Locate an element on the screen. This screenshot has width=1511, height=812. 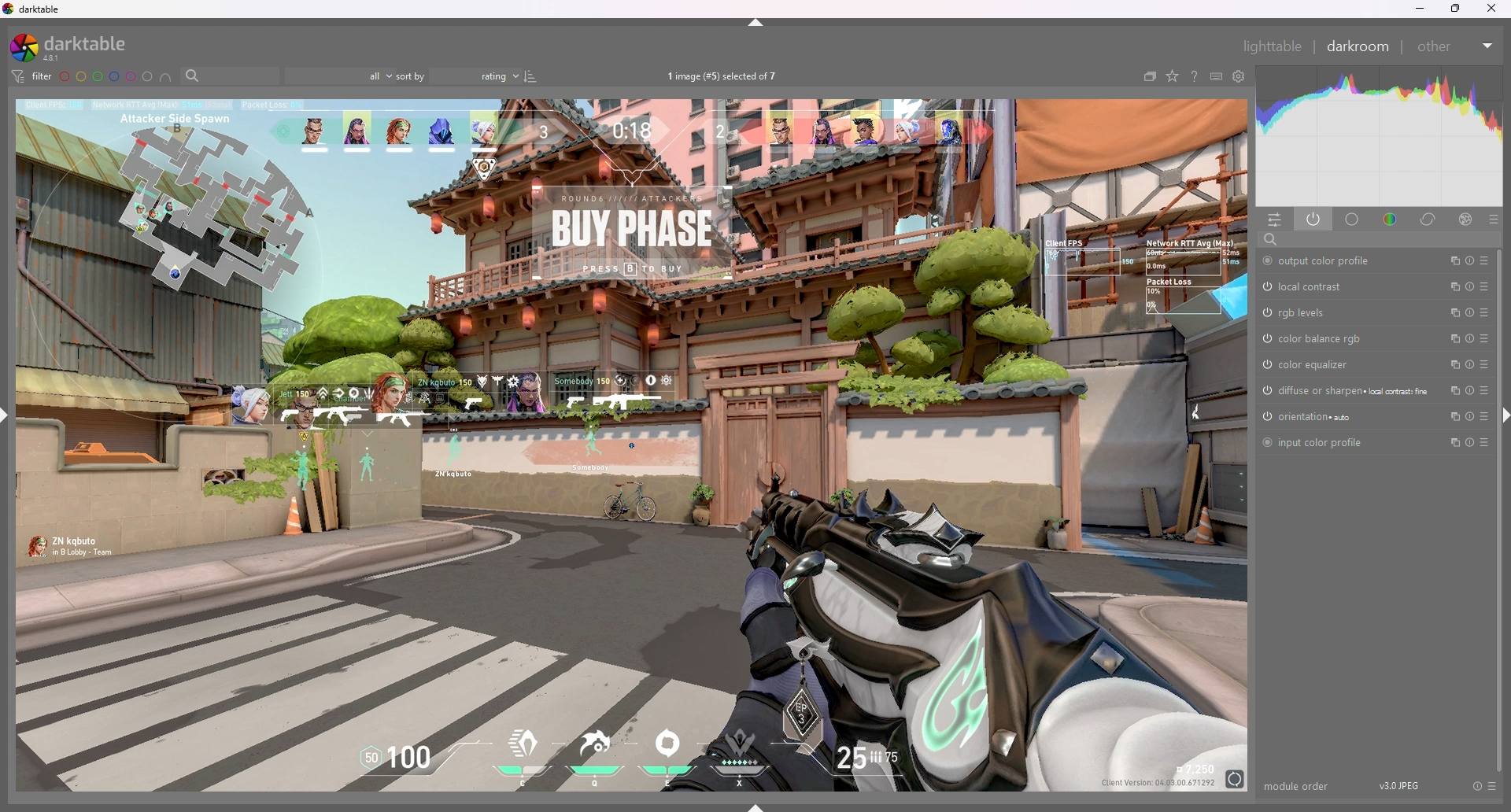
reset is located at coordinates (1470, 442).